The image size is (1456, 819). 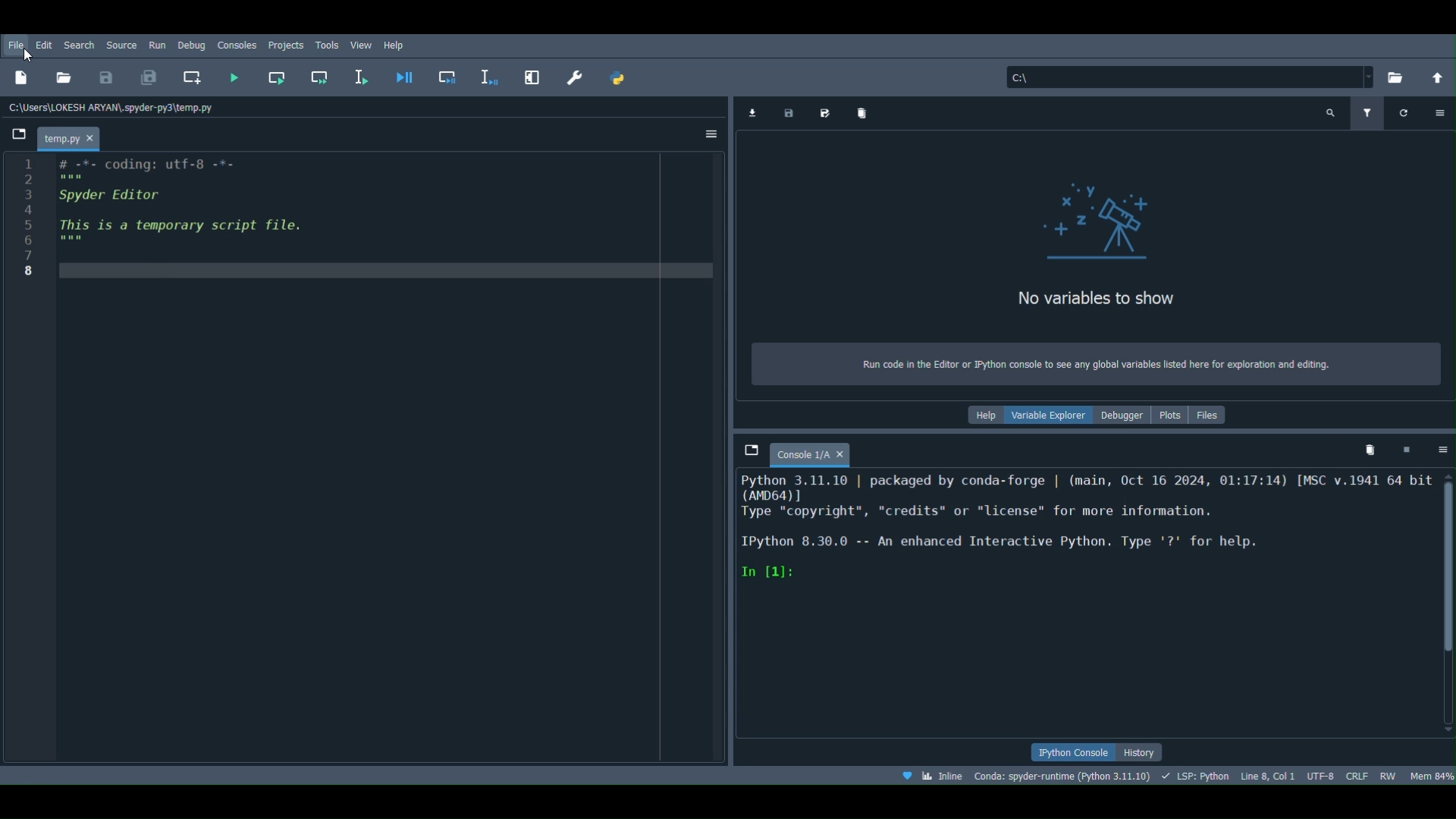 What do you see at coordinates (146, 75) in the screenshot?
I see `Save all files (Ctrl + Alt + S)` at bounding box center [146, 75].